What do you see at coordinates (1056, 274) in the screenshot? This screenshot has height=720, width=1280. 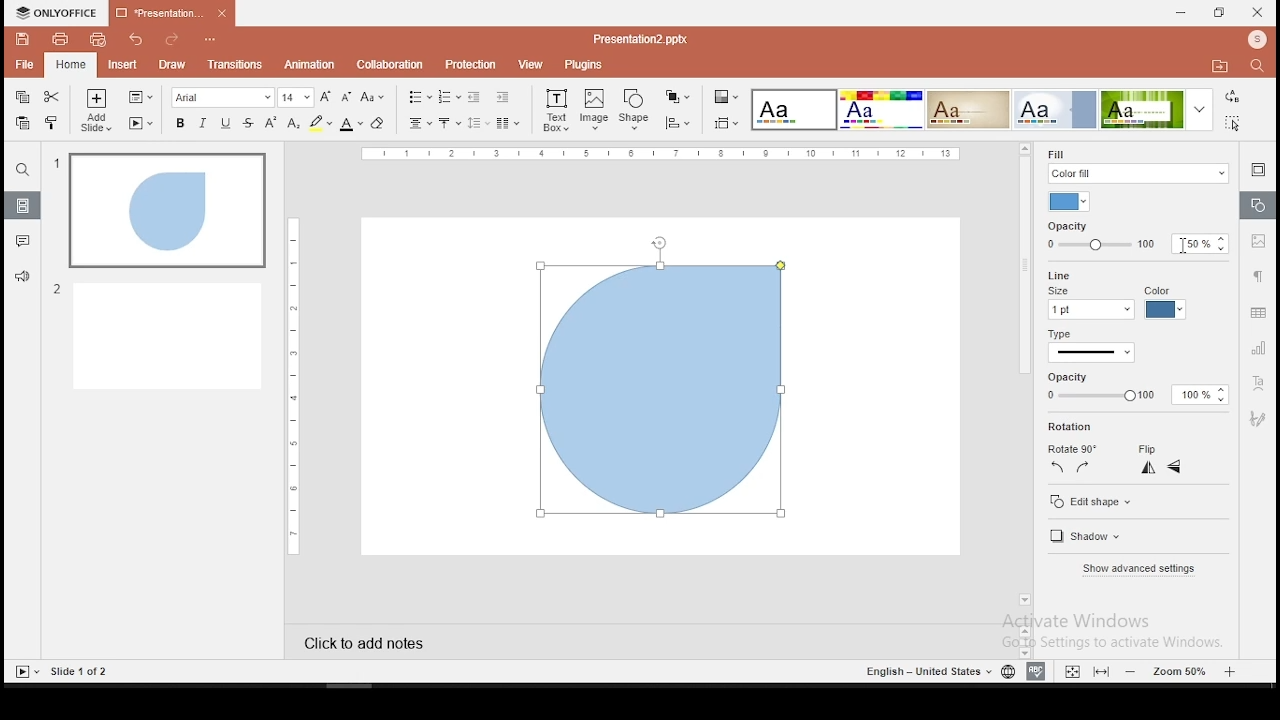 I see `line` at bounding box center [1056, 274].